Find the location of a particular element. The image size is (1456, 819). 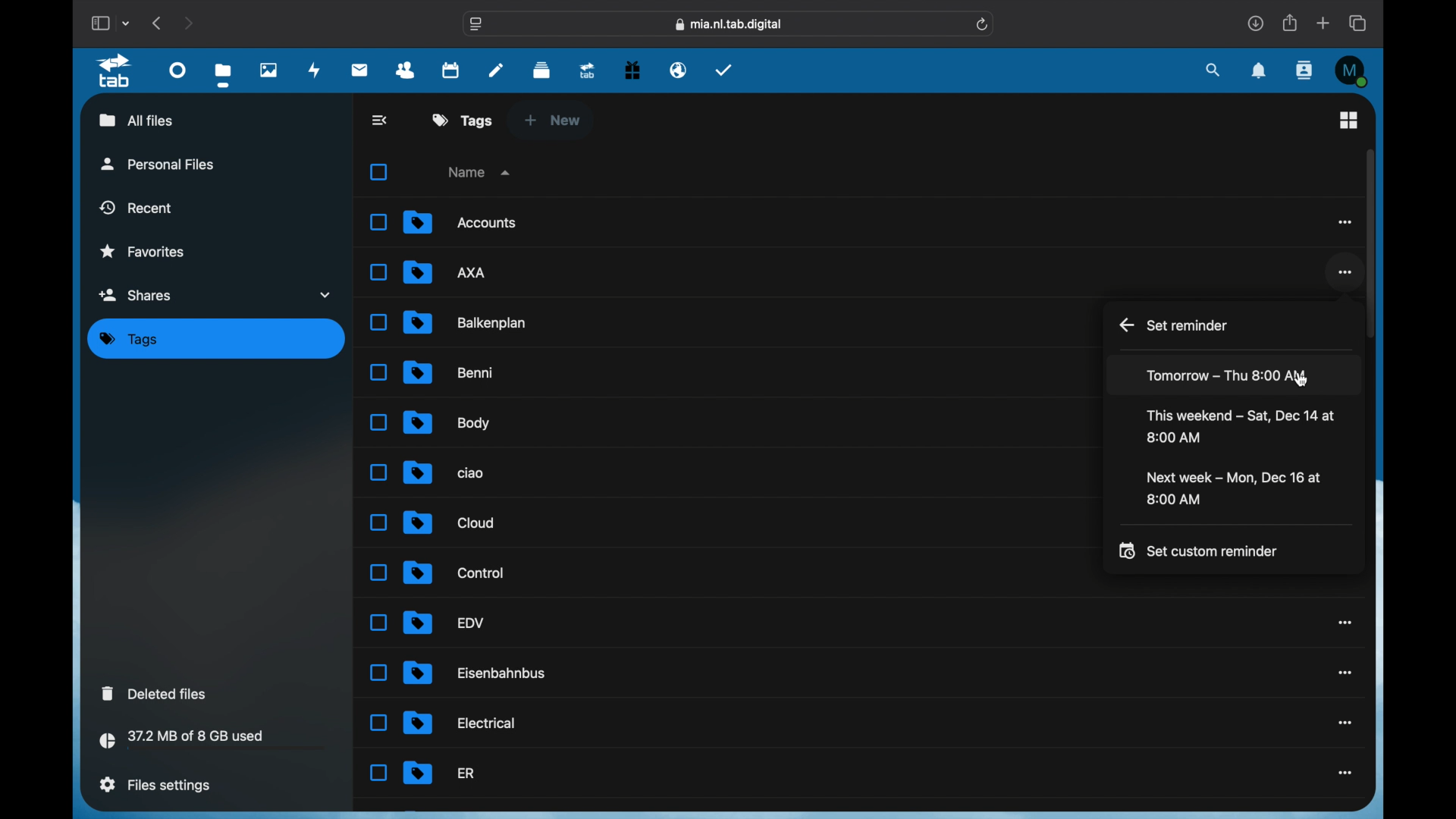

deck is located at coordinates (542, 68).